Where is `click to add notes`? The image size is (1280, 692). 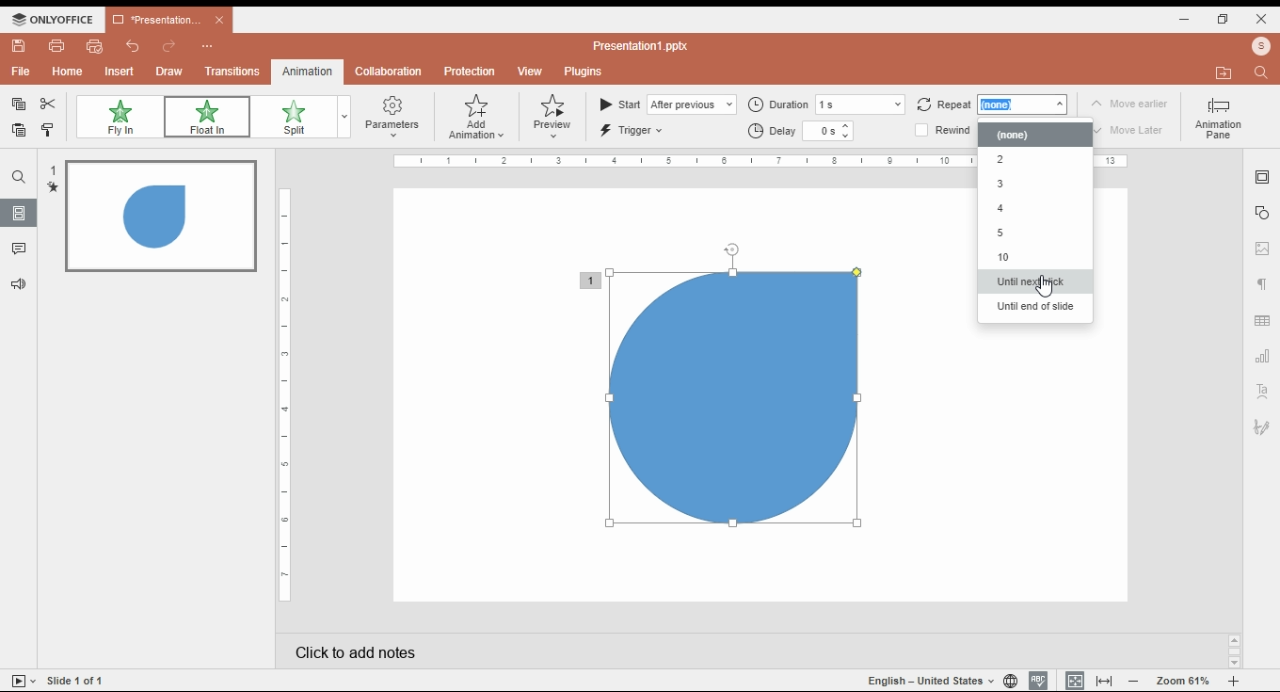 click to add notes is located at coordinates (564, 652).